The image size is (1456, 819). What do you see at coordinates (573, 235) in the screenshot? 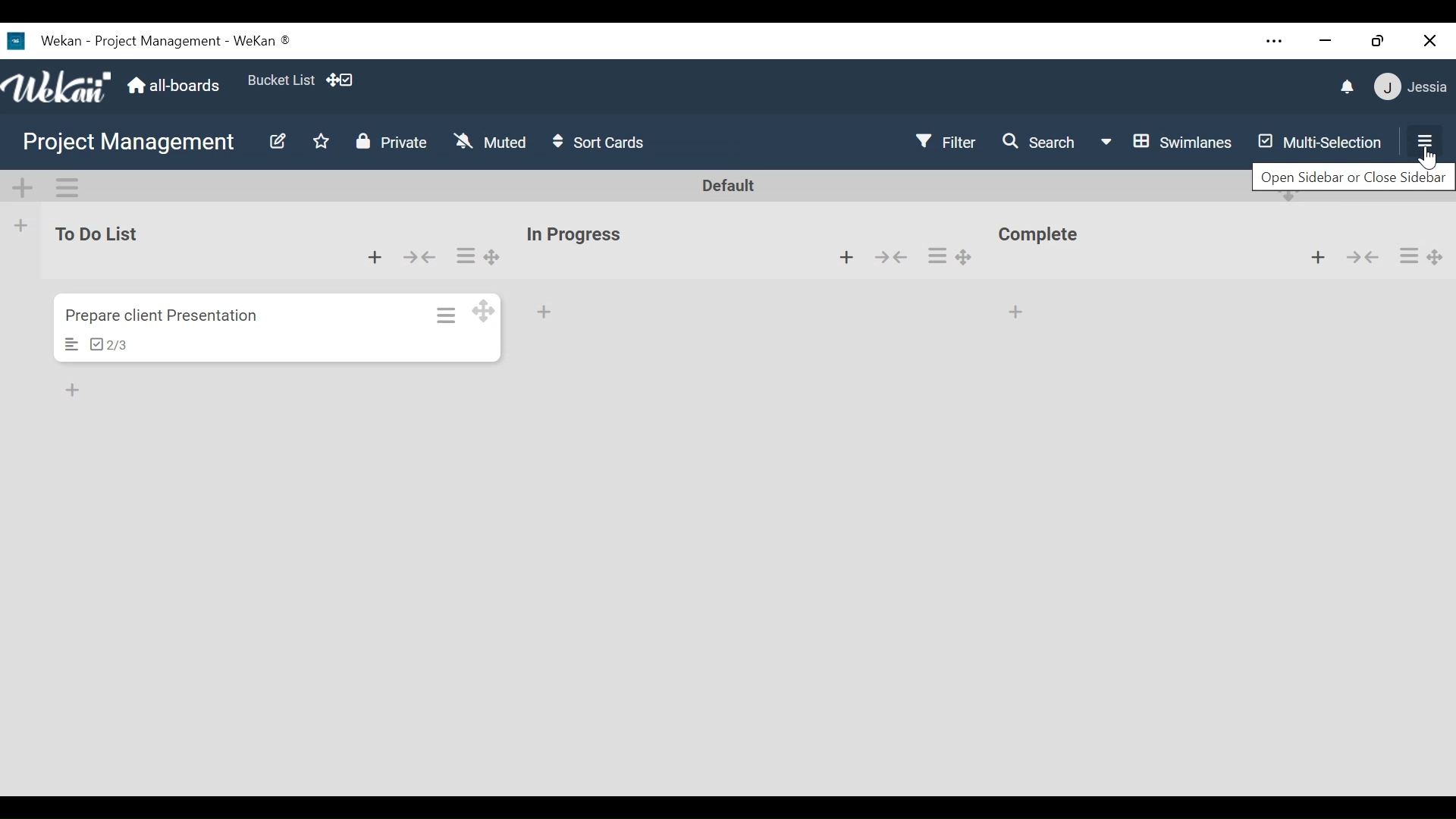
I see `List Title` at bounding box center [573, 235].